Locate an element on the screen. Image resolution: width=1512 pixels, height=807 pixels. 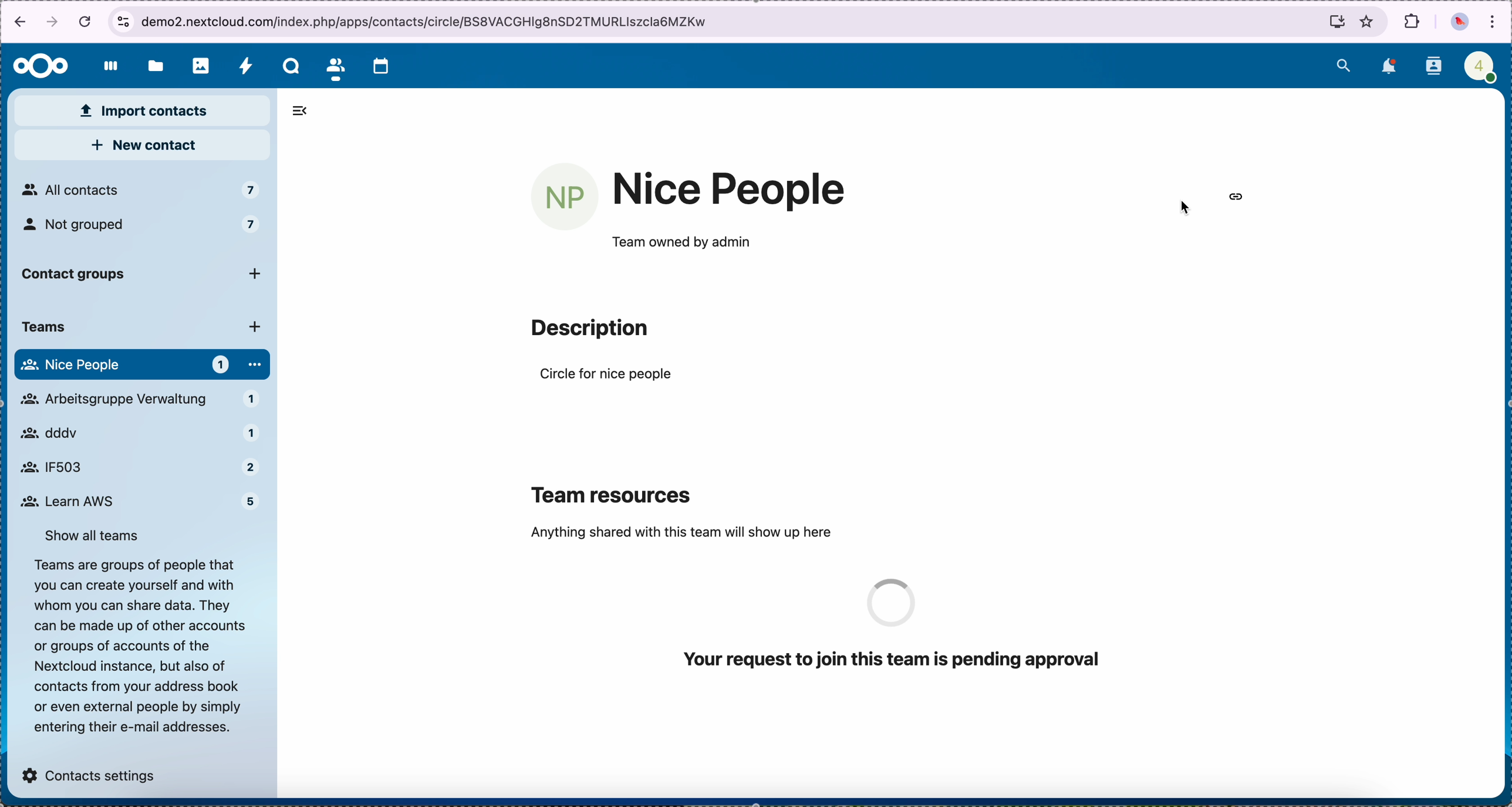
Nextcloud logo is located at coordinates (38, 65).